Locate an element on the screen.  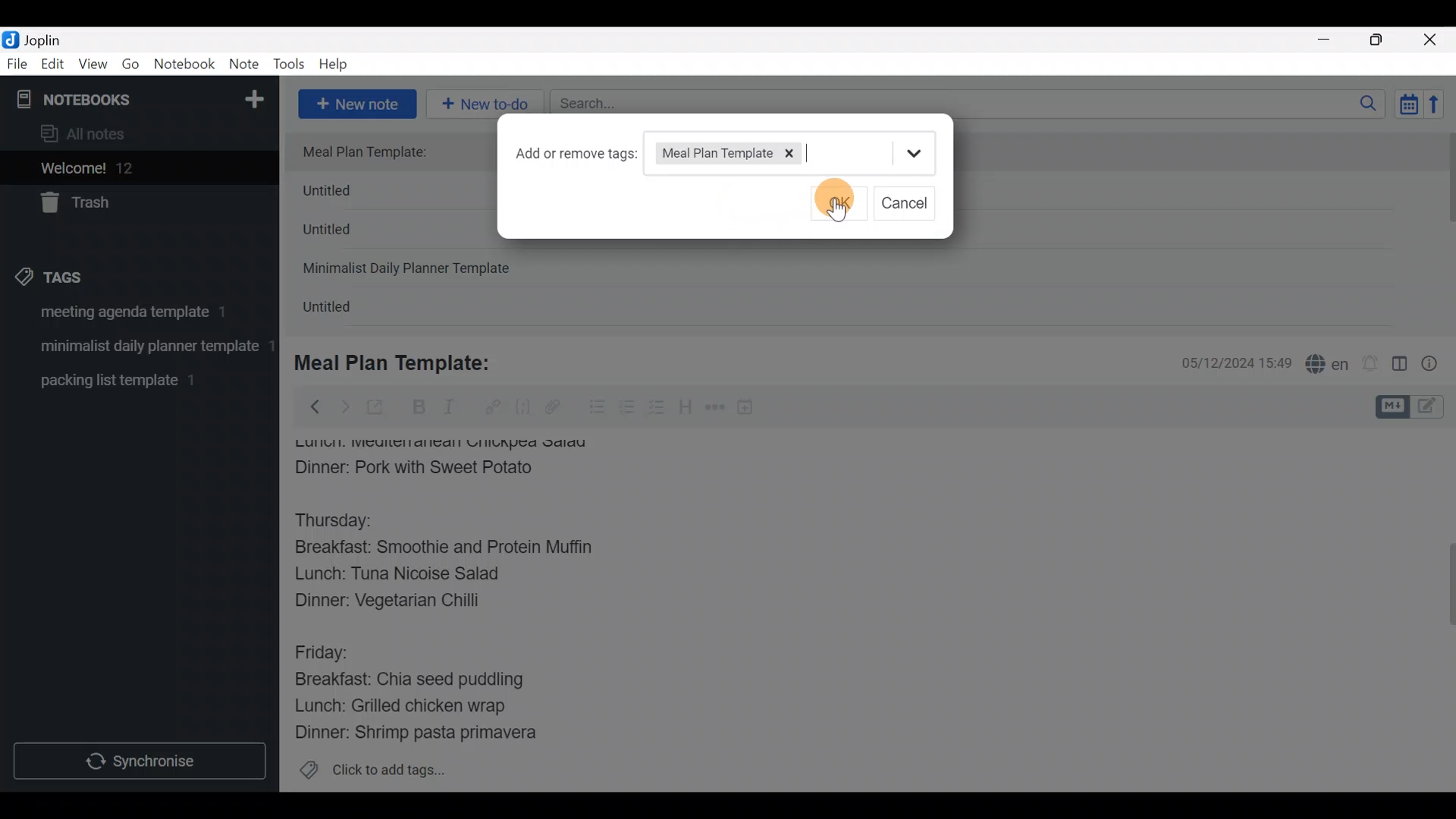
Edit is located at coordinates (53, 67).